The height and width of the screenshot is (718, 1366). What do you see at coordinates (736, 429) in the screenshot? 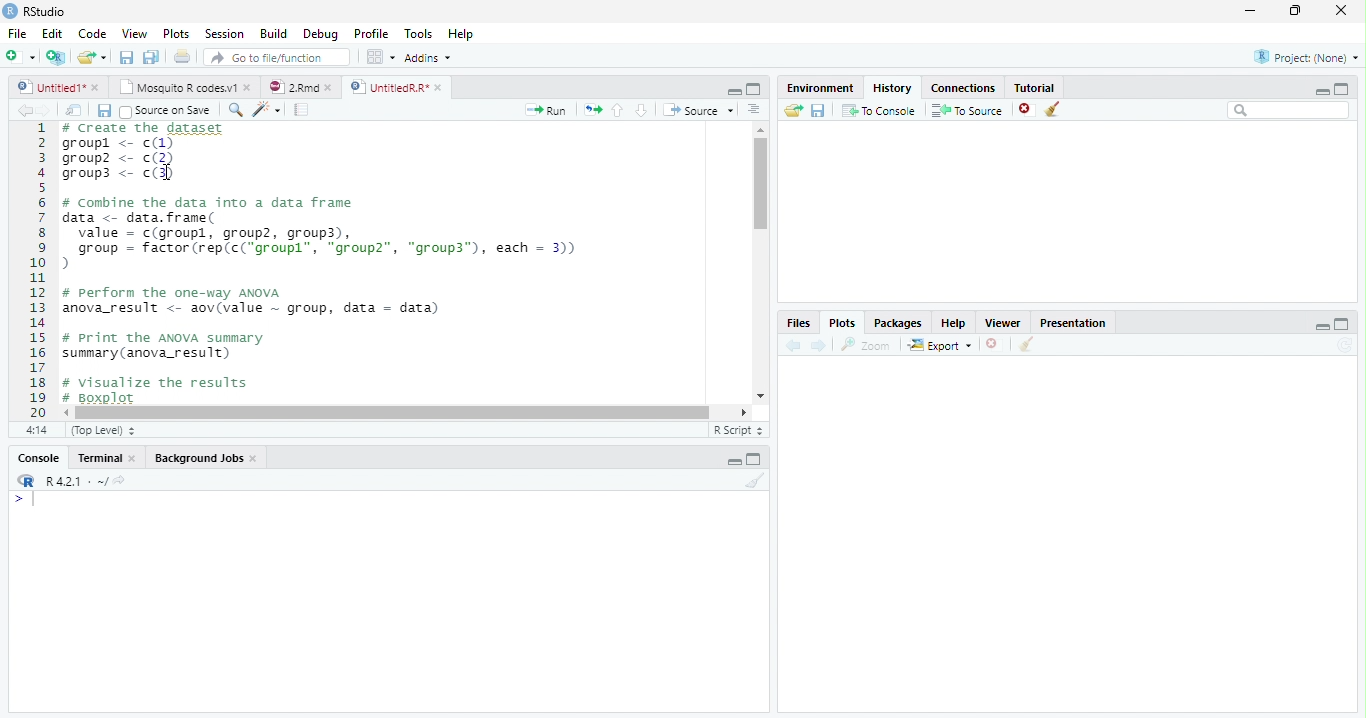
I see `R script` at bounding box center [736, 429].